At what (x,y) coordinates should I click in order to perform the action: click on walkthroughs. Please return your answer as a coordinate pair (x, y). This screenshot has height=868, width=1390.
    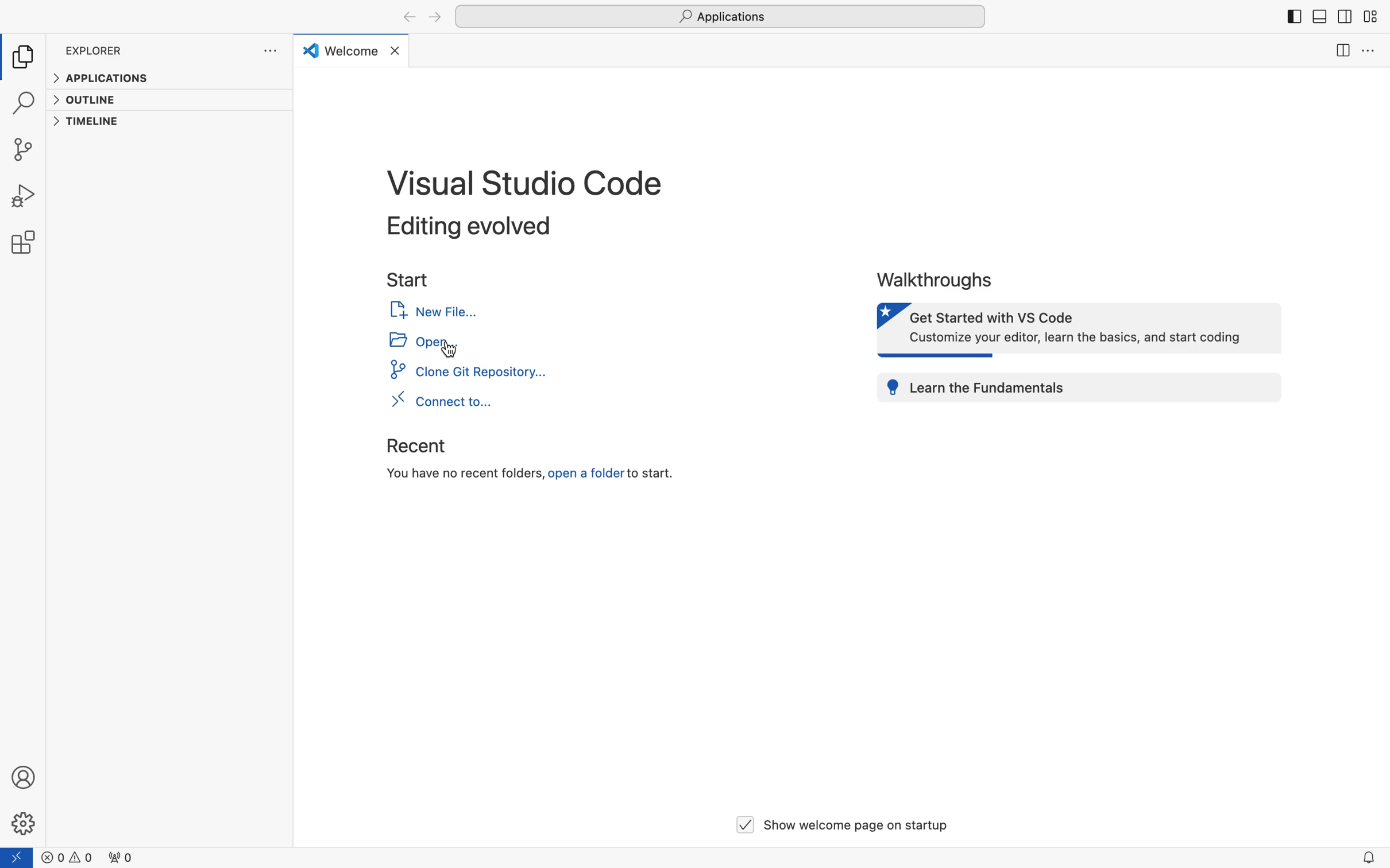
    Looking at the image, I should click on (940, 279).